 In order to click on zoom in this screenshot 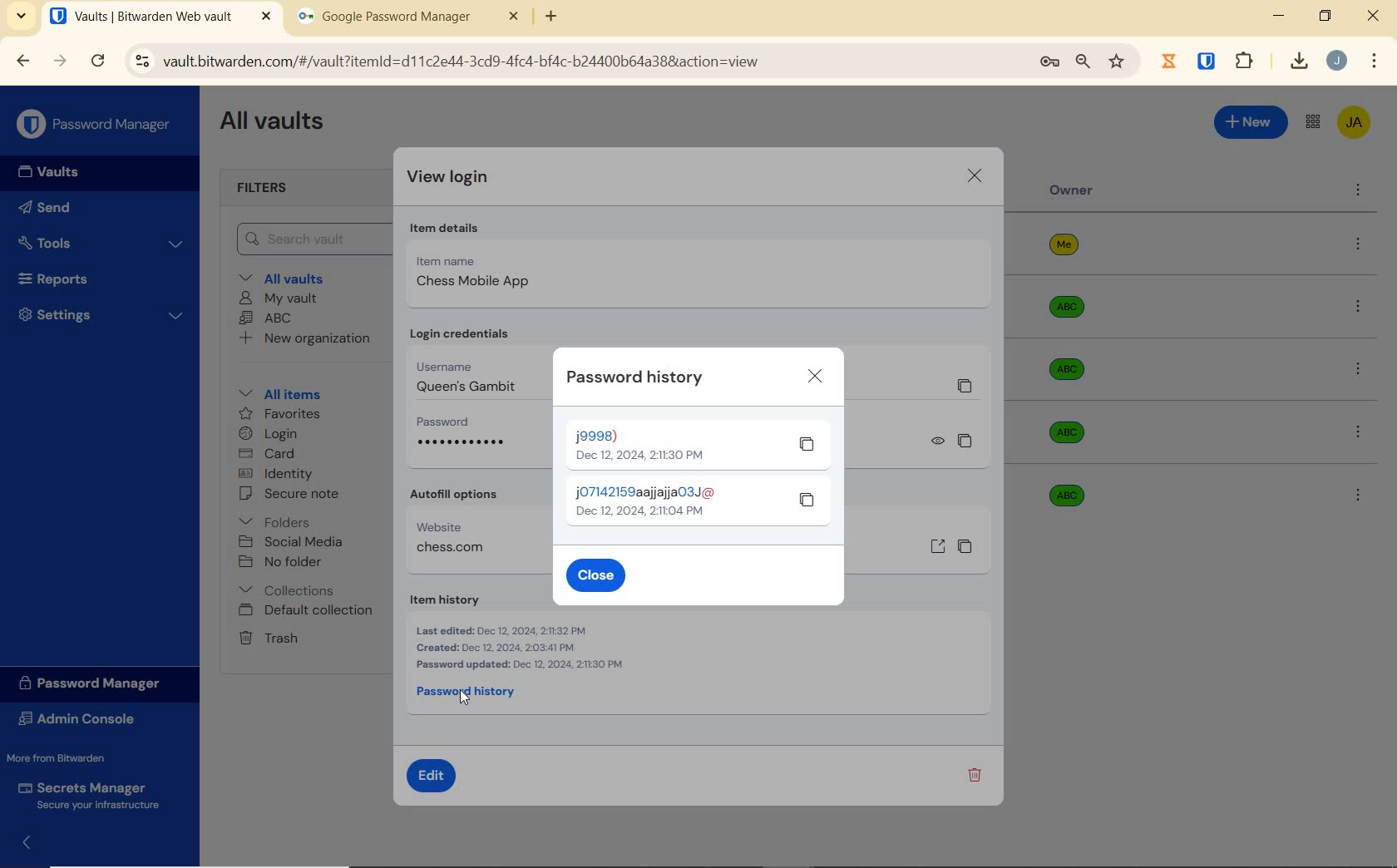, I will do `click(1081, 62)`.